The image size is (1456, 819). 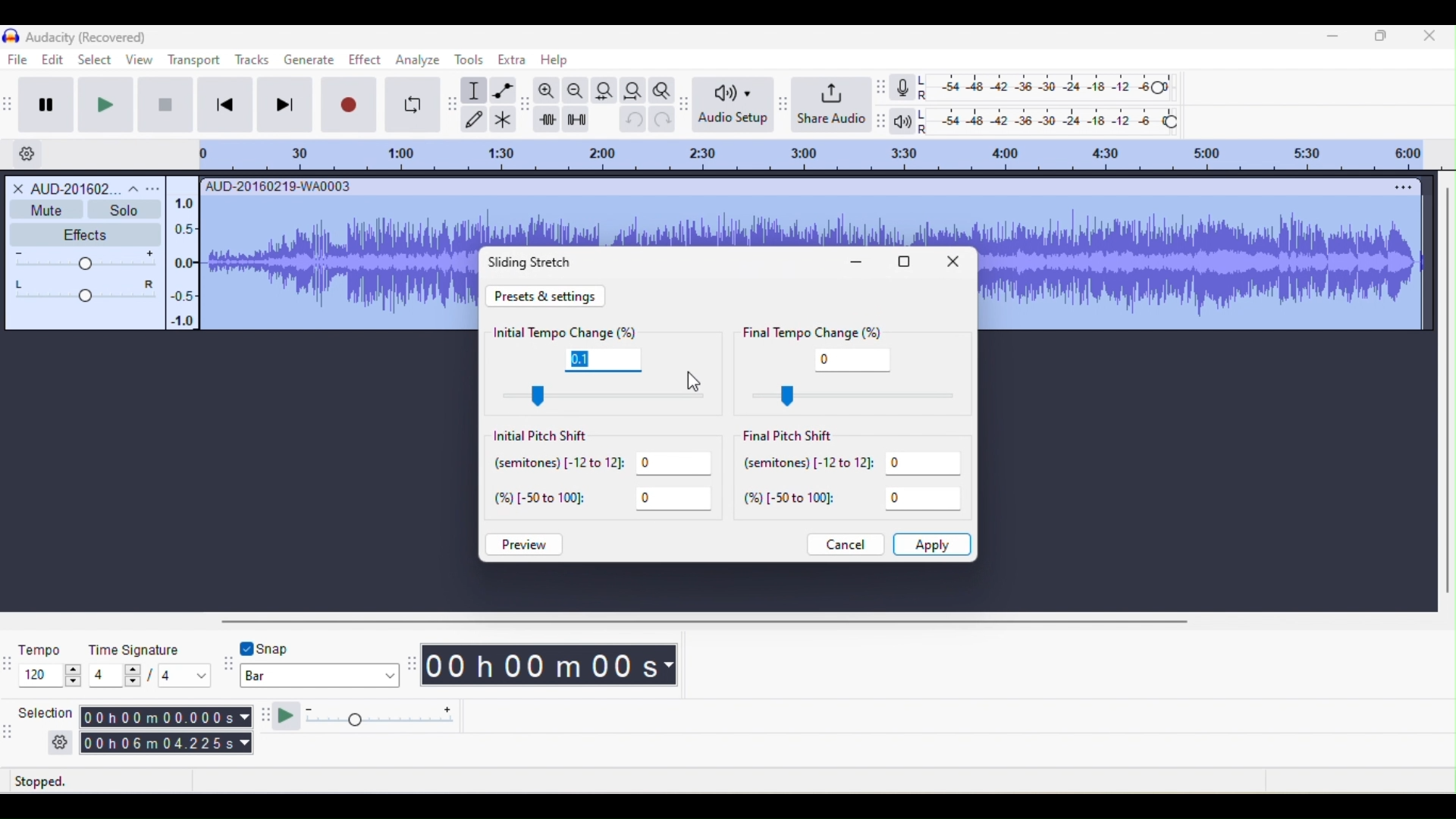 I want to click on audacity plat at speed, so click(x=266, y=718).